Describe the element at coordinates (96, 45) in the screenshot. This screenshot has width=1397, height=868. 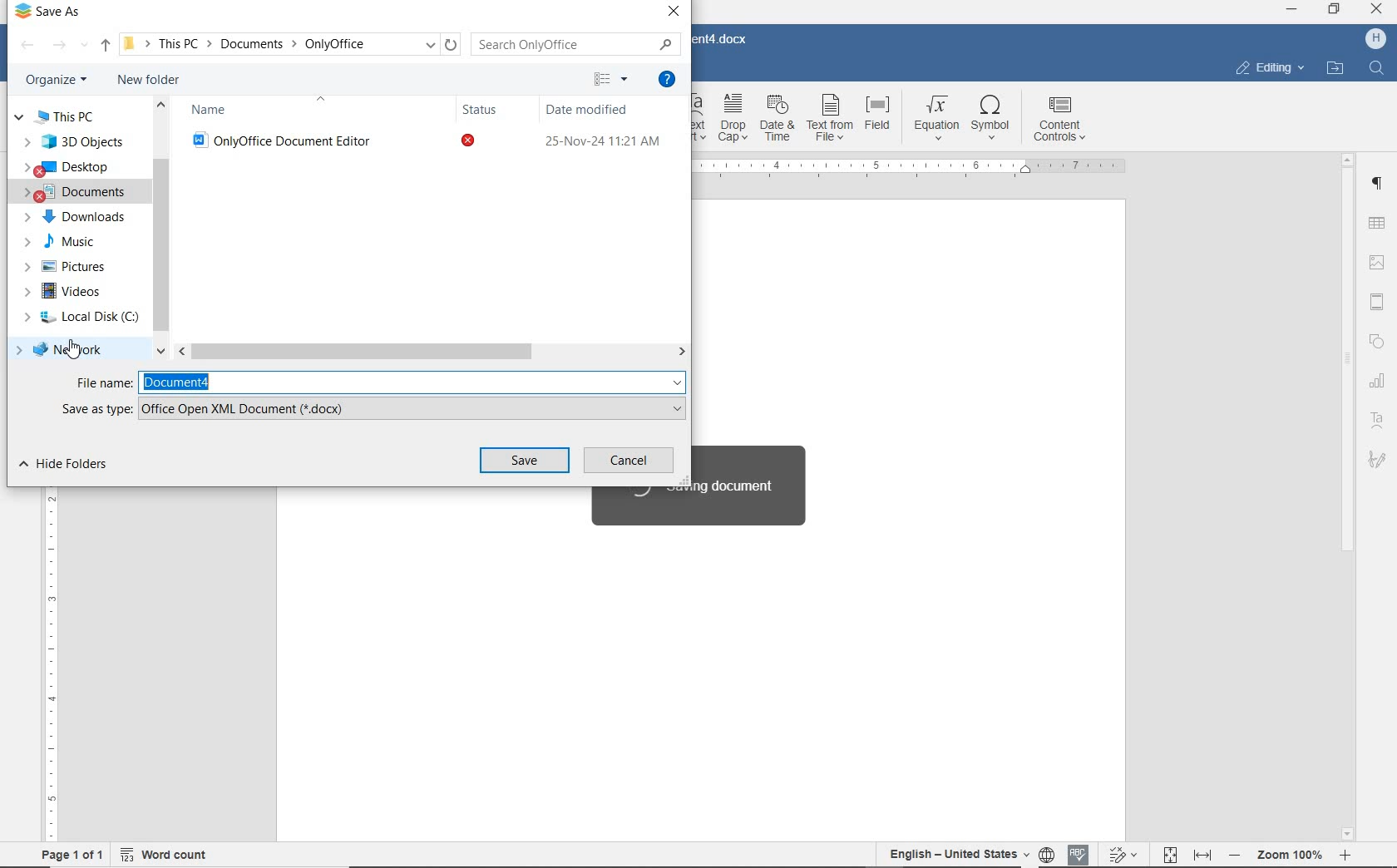
I see `up` at that location.